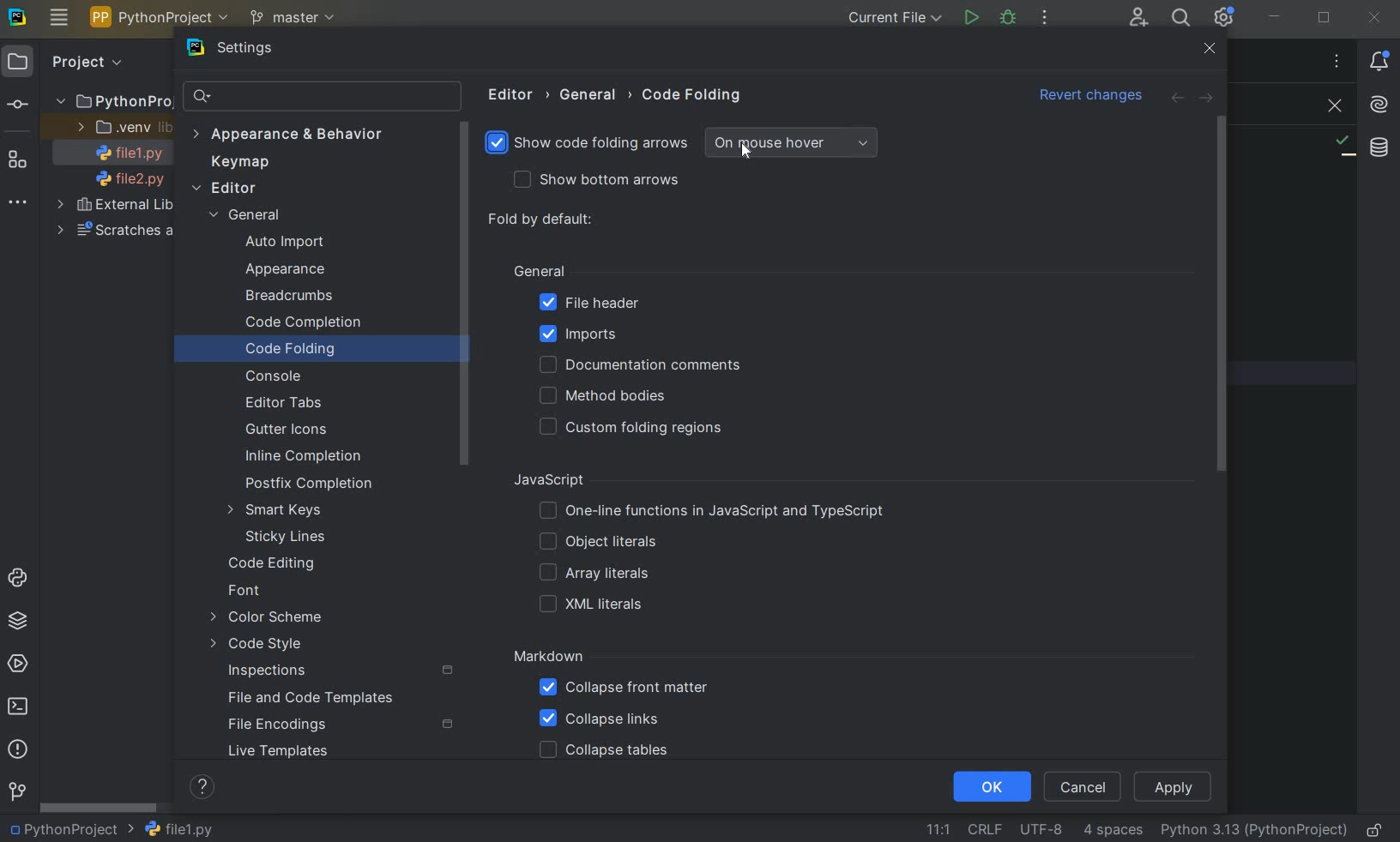 The height and width of the screenshot is (842, 1400). What do you see at coordinates (291, 430) in the screenshot?
I see `GUTTER ICONS` at bounding box center [291, 430].